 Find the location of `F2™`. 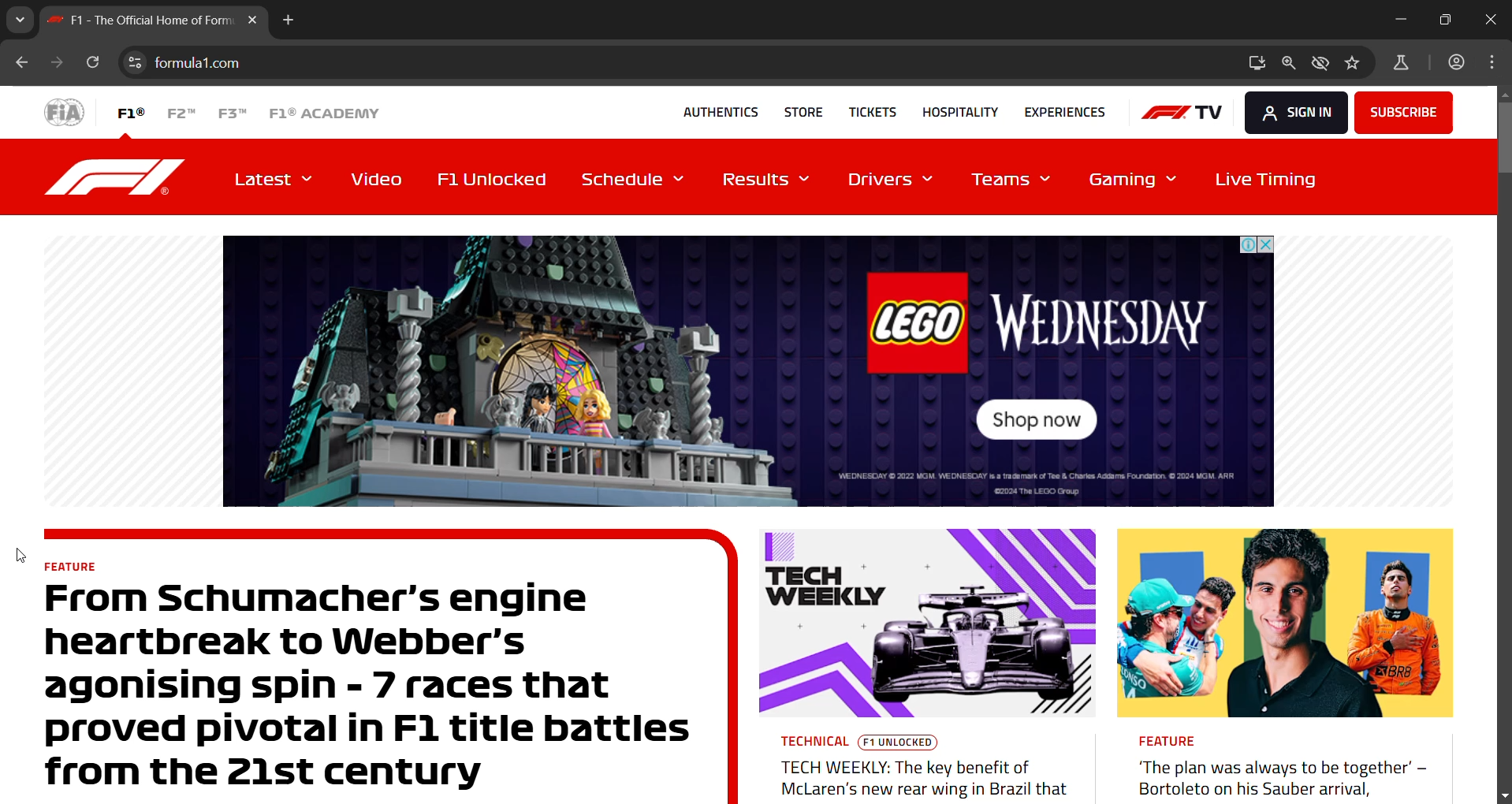

F2™ is located at coordinates (181, 112).